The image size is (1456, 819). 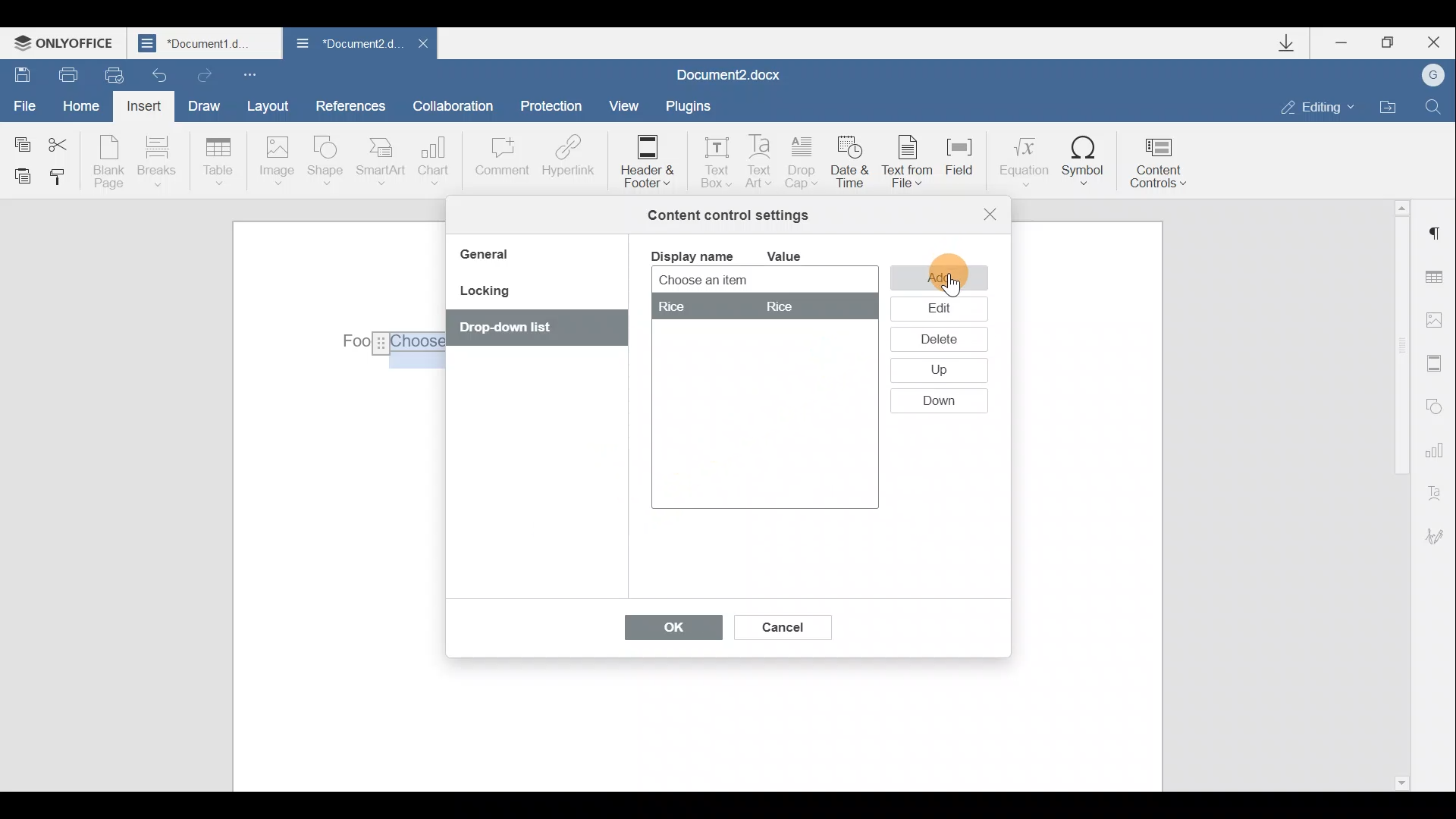 I want to click on Document2 d.., so click(x=347, y=46).